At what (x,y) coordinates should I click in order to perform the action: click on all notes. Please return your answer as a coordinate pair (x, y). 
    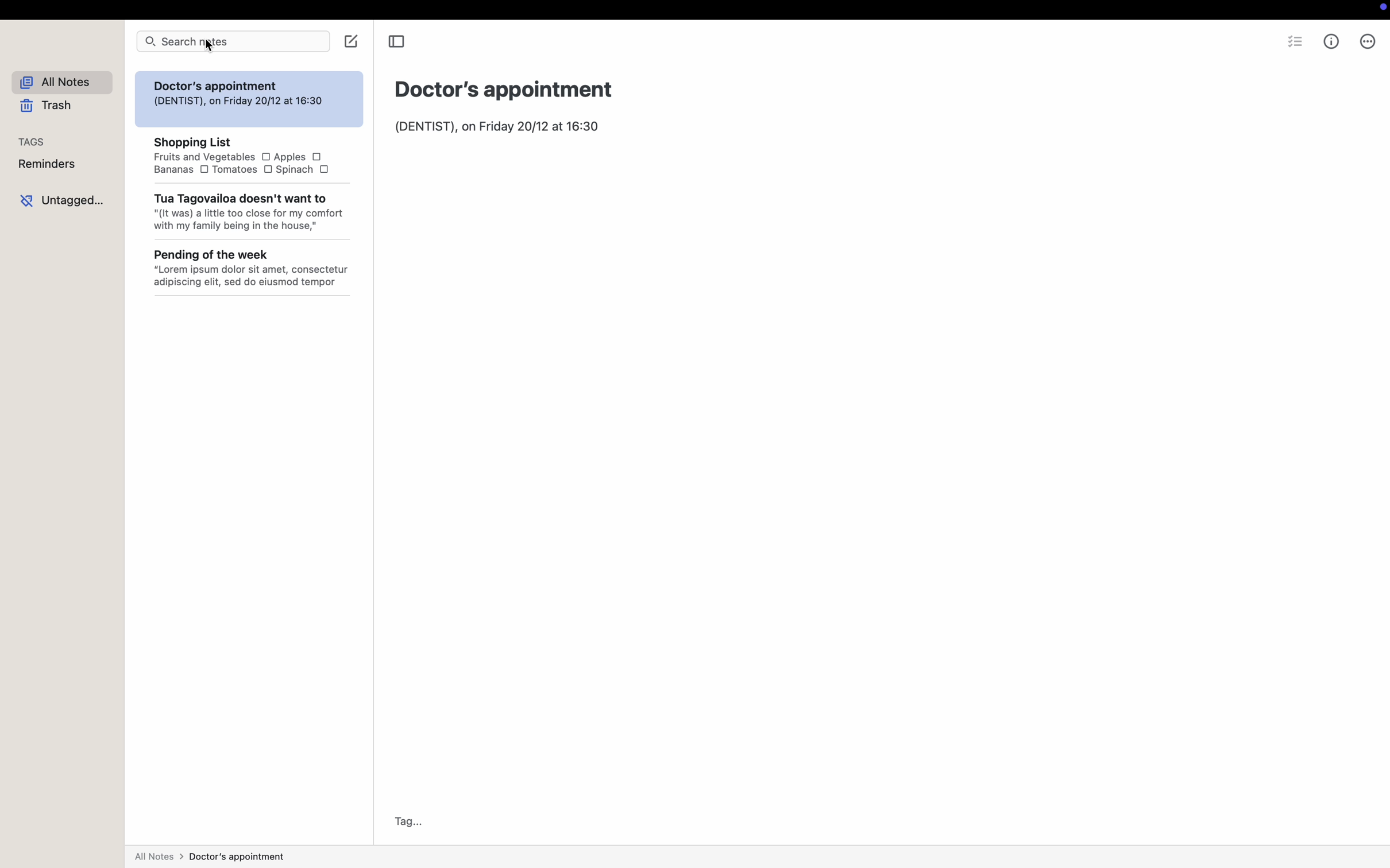
    Looking at the image, I should click on (61, 83).